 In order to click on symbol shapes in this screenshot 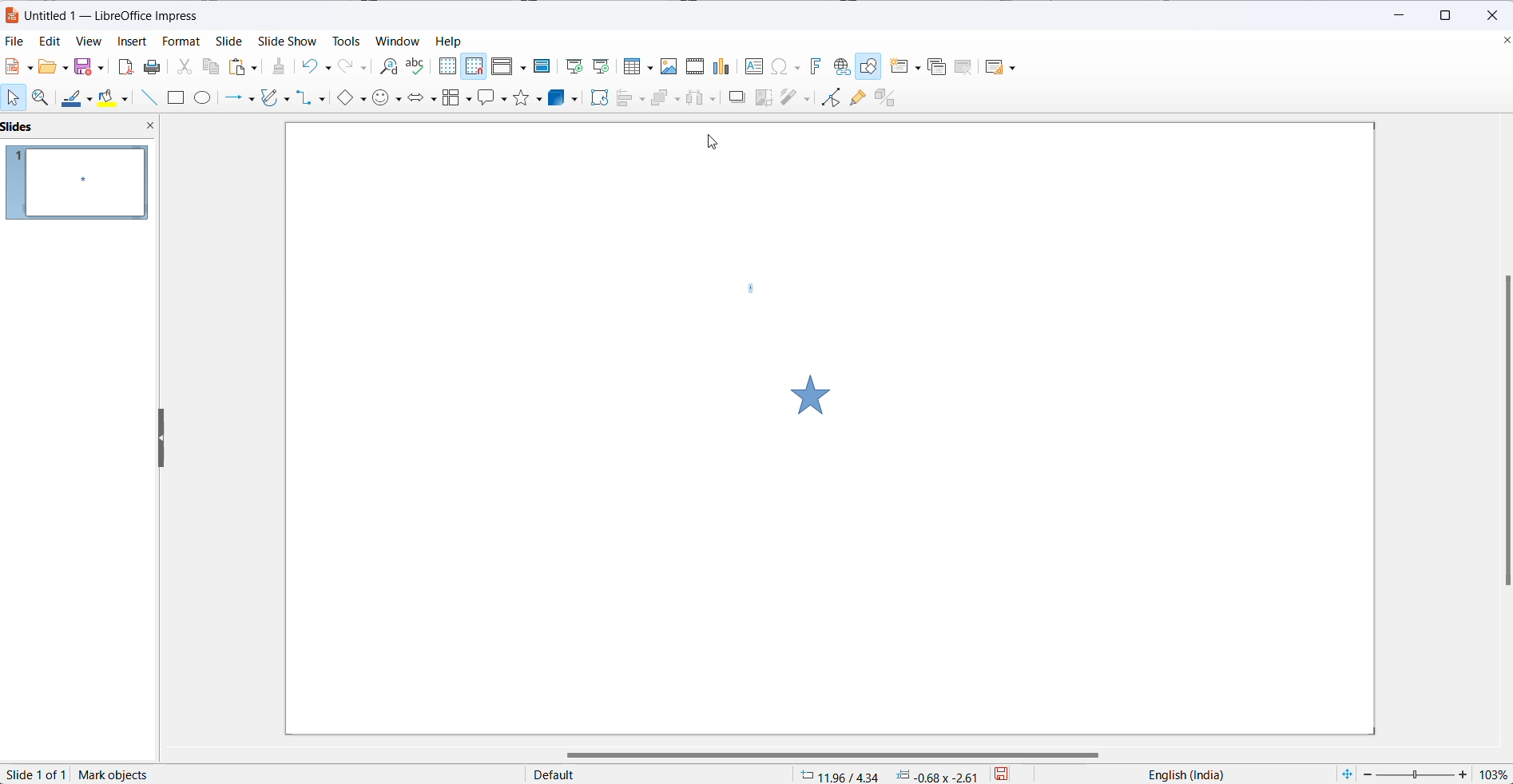, I will do `click(387, 98)`.